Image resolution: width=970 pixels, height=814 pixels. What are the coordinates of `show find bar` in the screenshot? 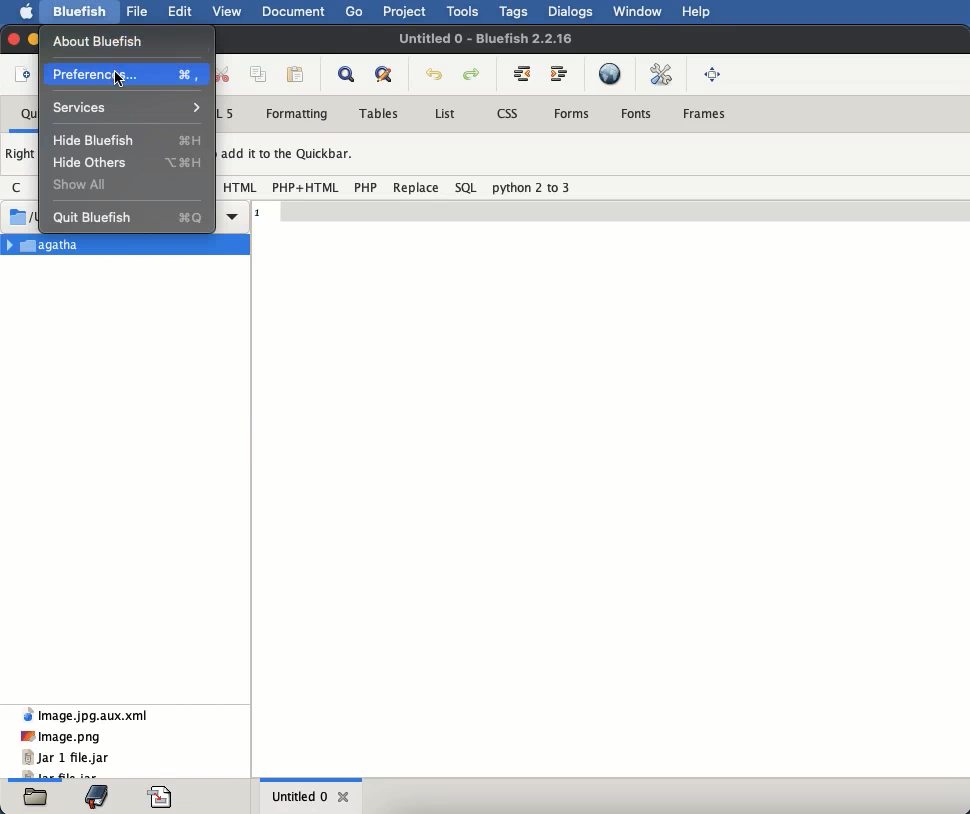 It's located at (350, 74).